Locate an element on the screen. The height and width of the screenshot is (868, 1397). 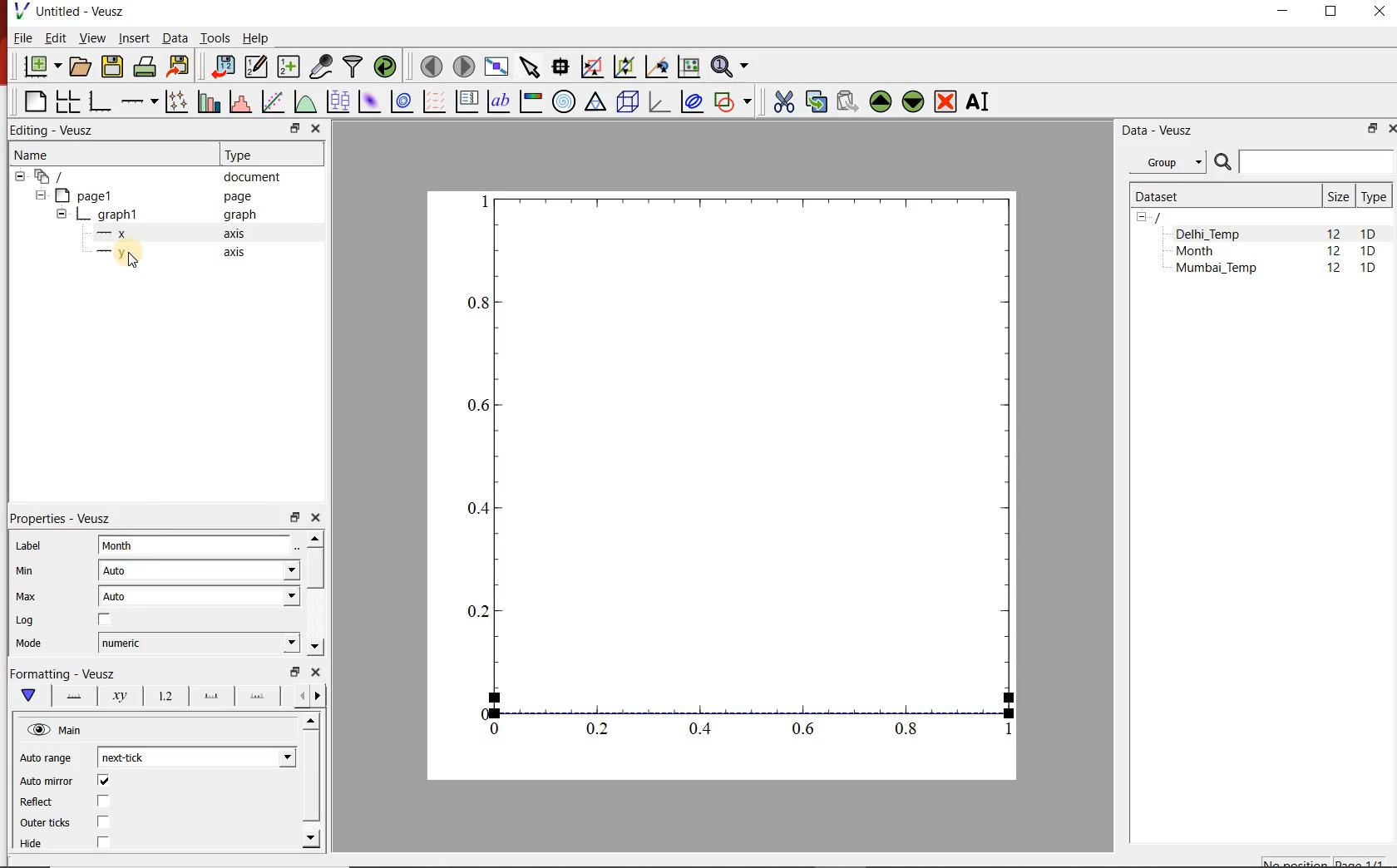
Label is located at coordinates (27, 545).